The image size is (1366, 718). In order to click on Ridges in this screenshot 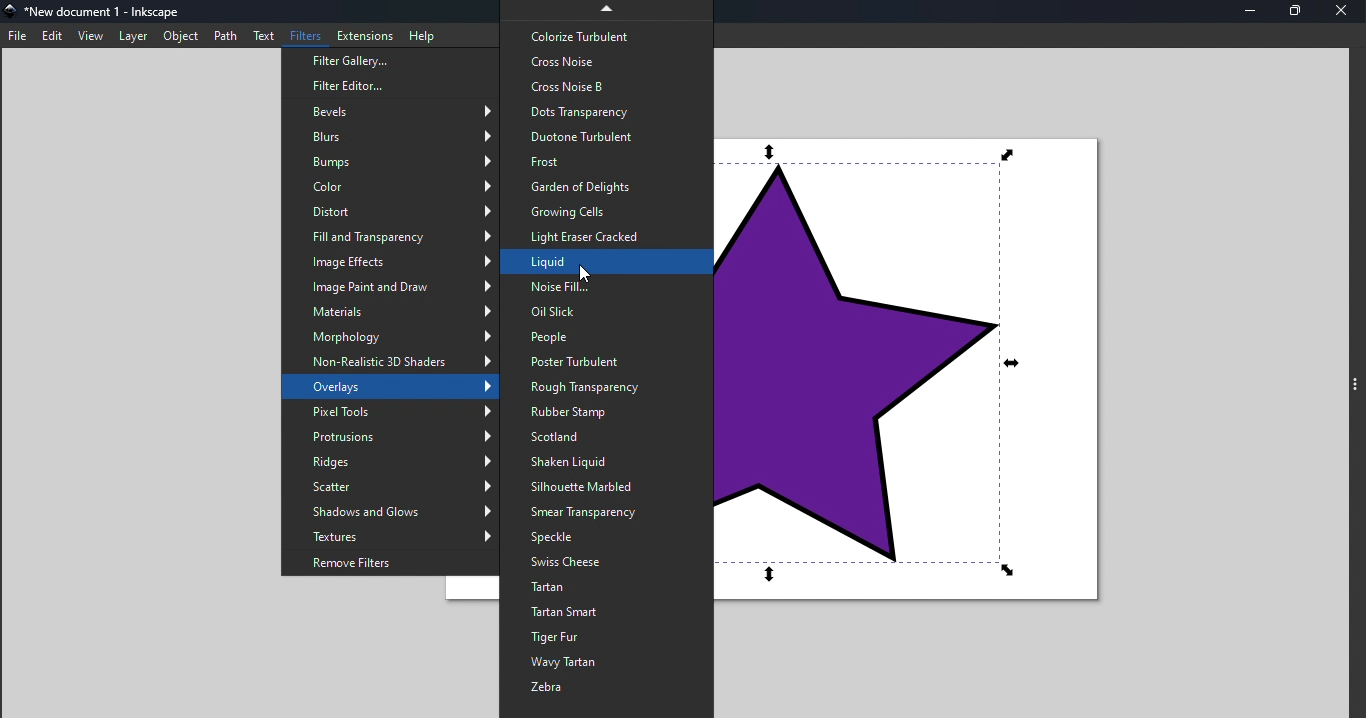, I will do `click(389, 463)`.